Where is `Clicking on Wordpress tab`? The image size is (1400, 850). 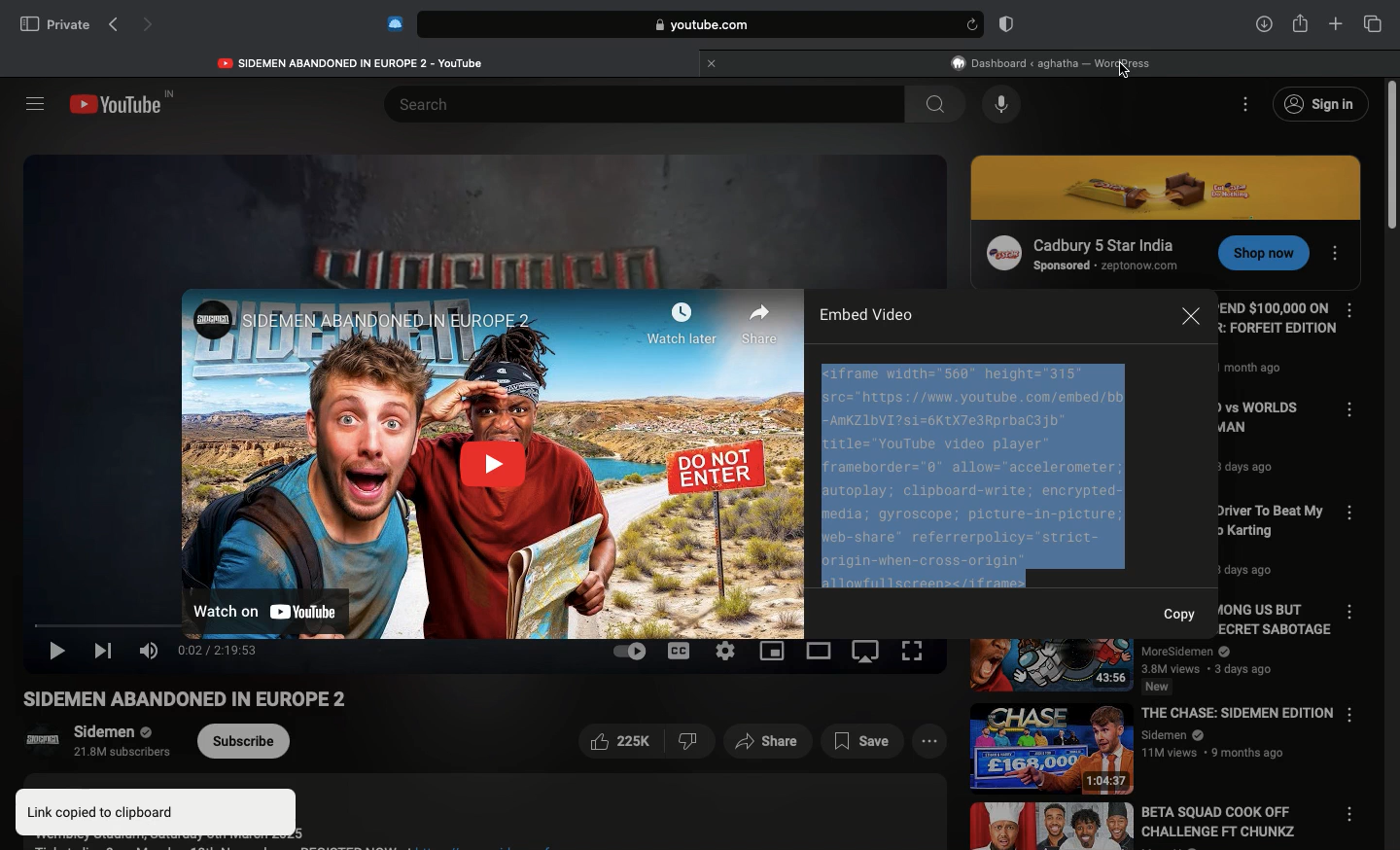
Clicking on Wordpress tab is located at coordinates (1052, 62).